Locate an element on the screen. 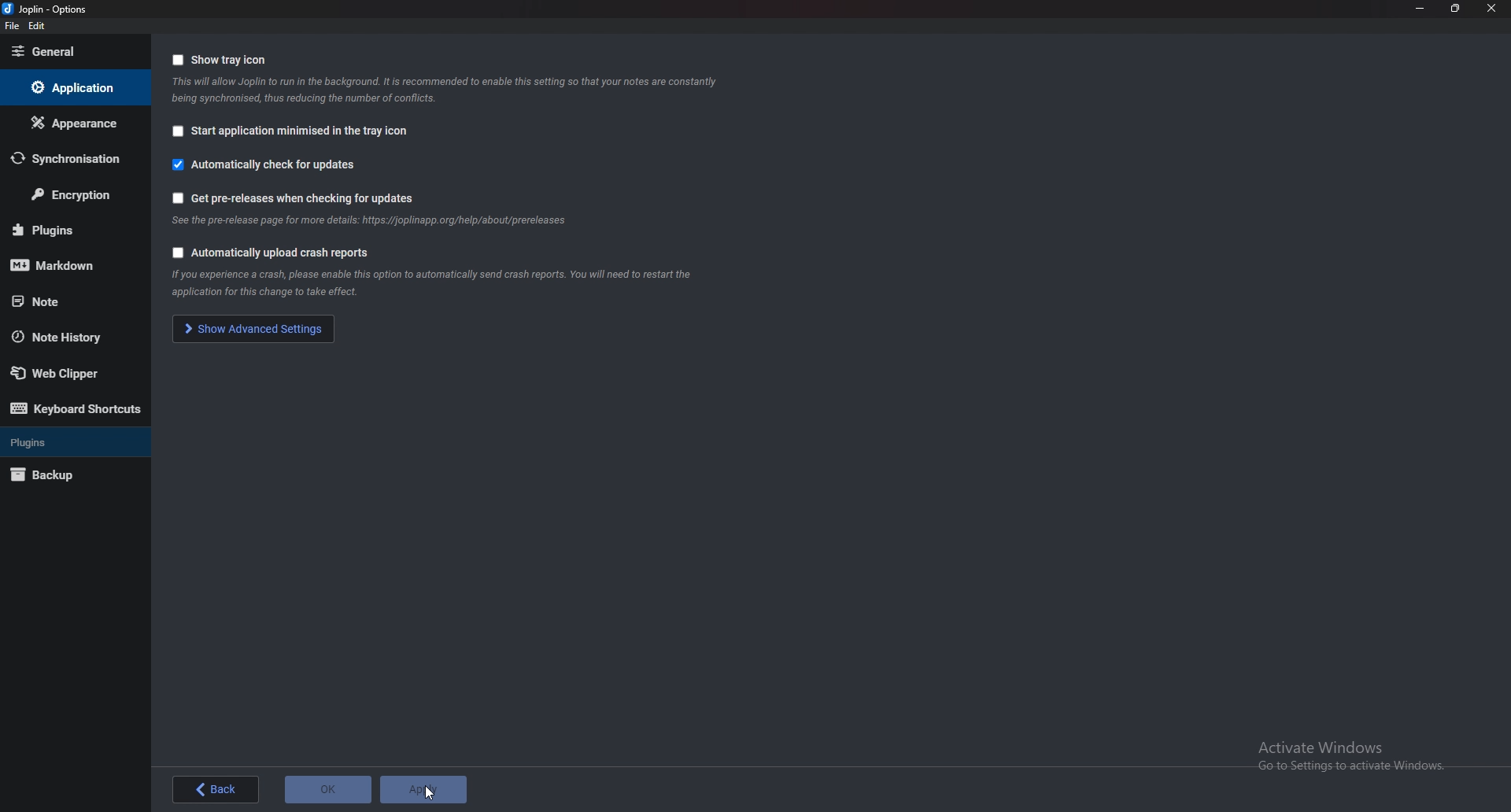 The width and height of the screenshot is (1511, 812). close is located at coordinates (1491, 8).